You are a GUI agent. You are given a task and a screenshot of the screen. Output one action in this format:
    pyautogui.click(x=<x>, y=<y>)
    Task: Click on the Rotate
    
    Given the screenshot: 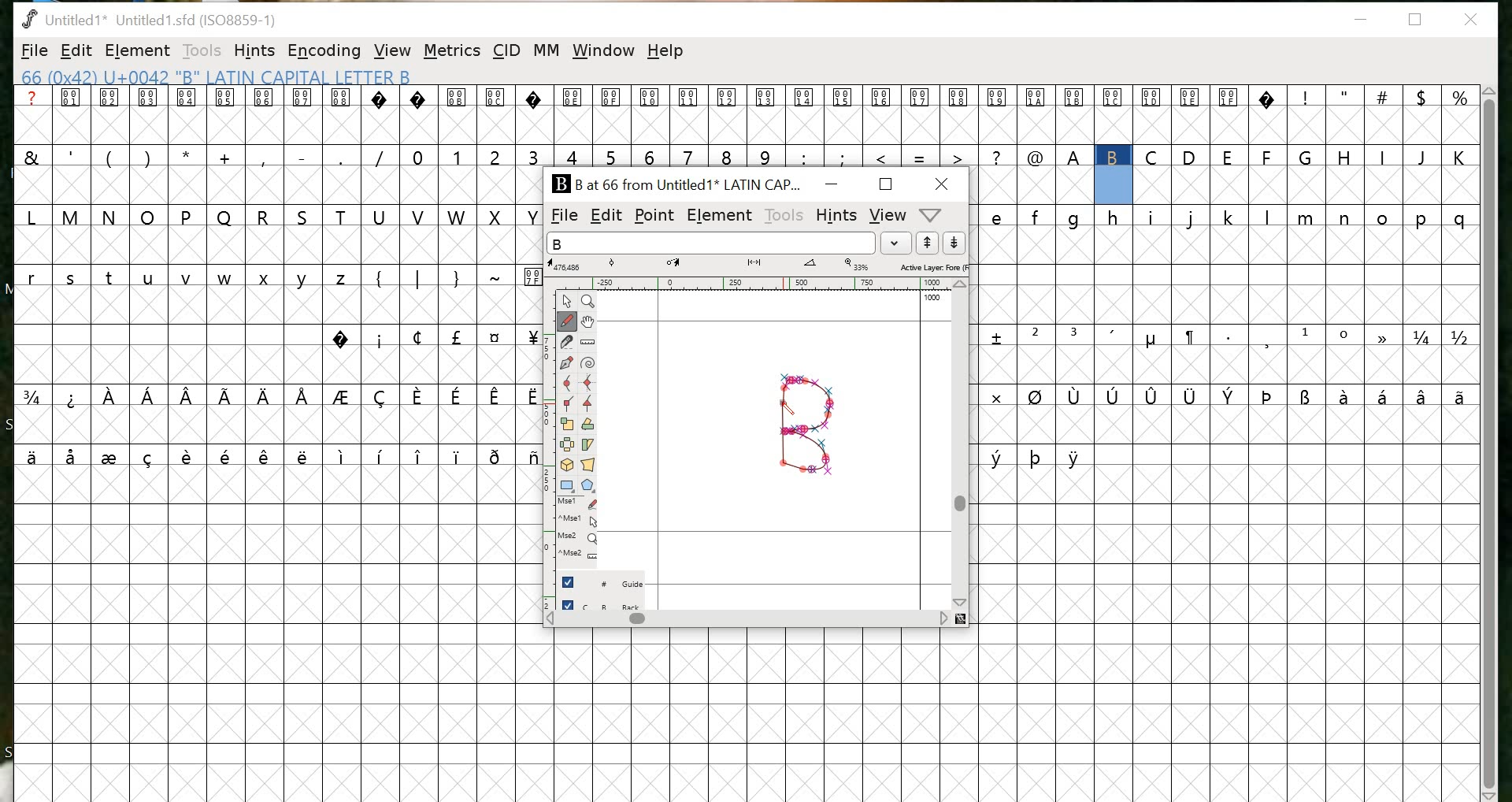 What is the action you would take?
    pyautogui.click(x=588, y=425)
    